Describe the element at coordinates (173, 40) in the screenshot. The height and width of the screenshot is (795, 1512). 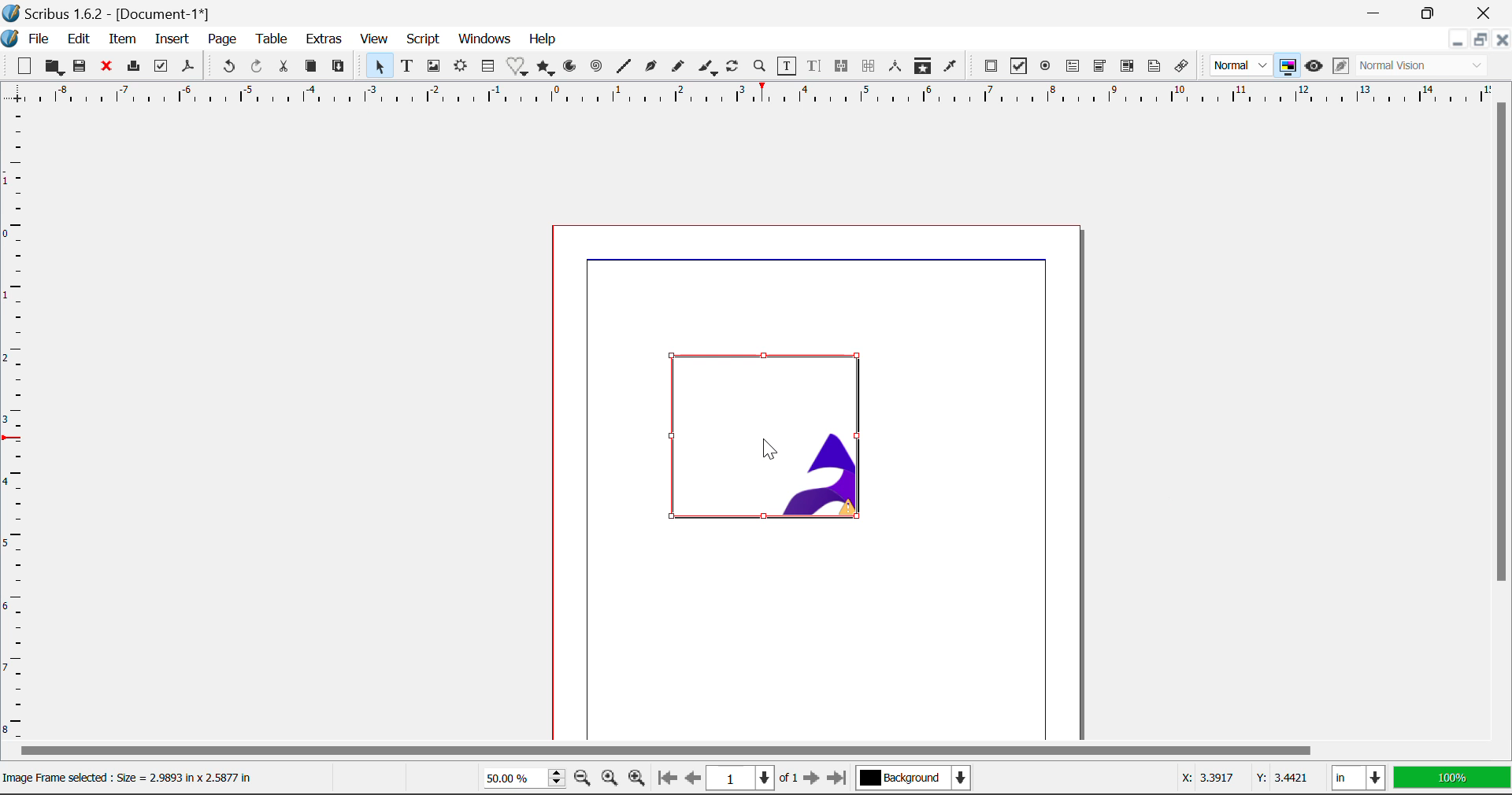
I see `Insert` at that location.